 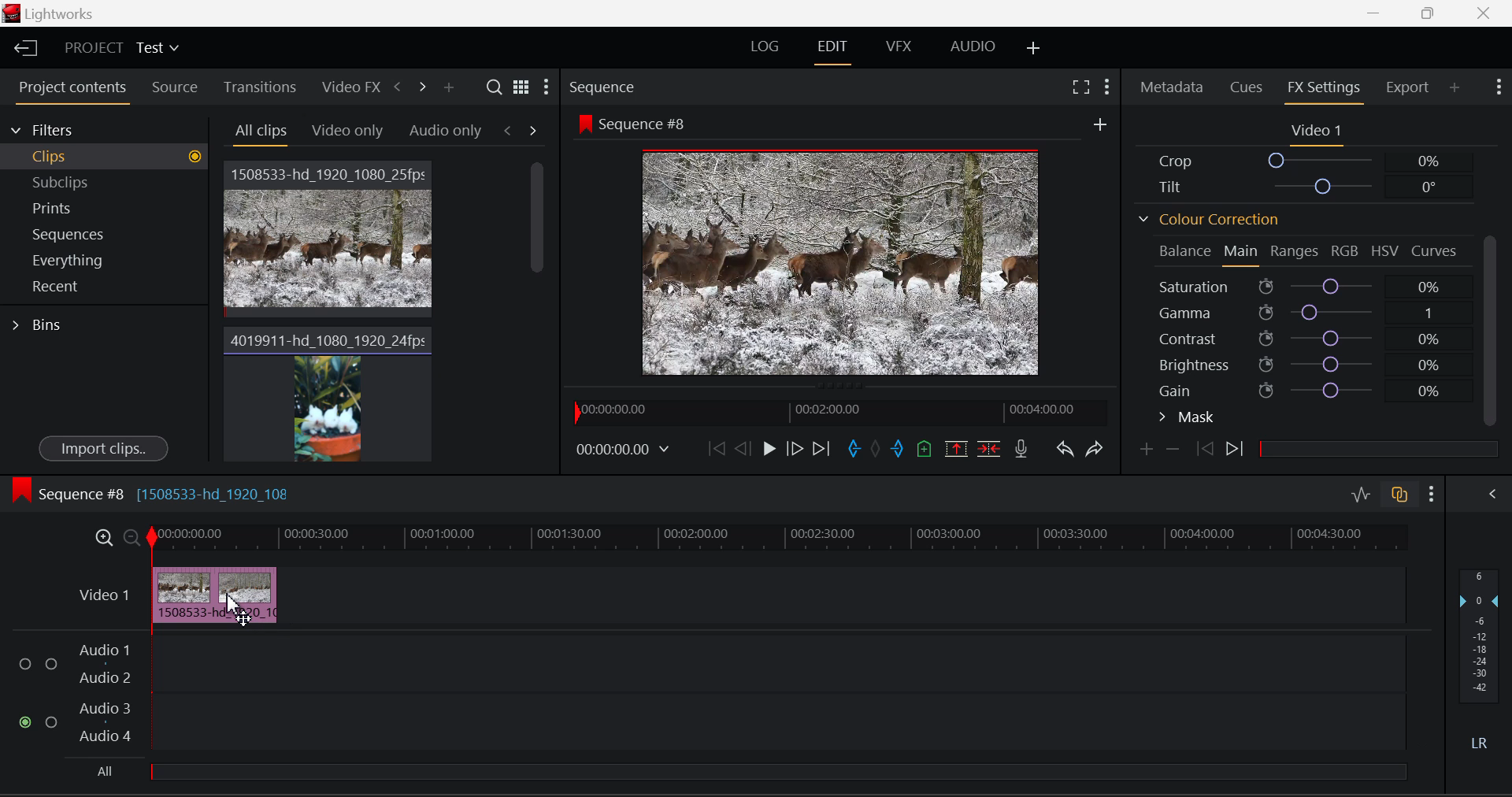 What do you see at coordinates (632, 122) in the screenshot?
I see `Sequence #8` at bounding box center [632, 122].